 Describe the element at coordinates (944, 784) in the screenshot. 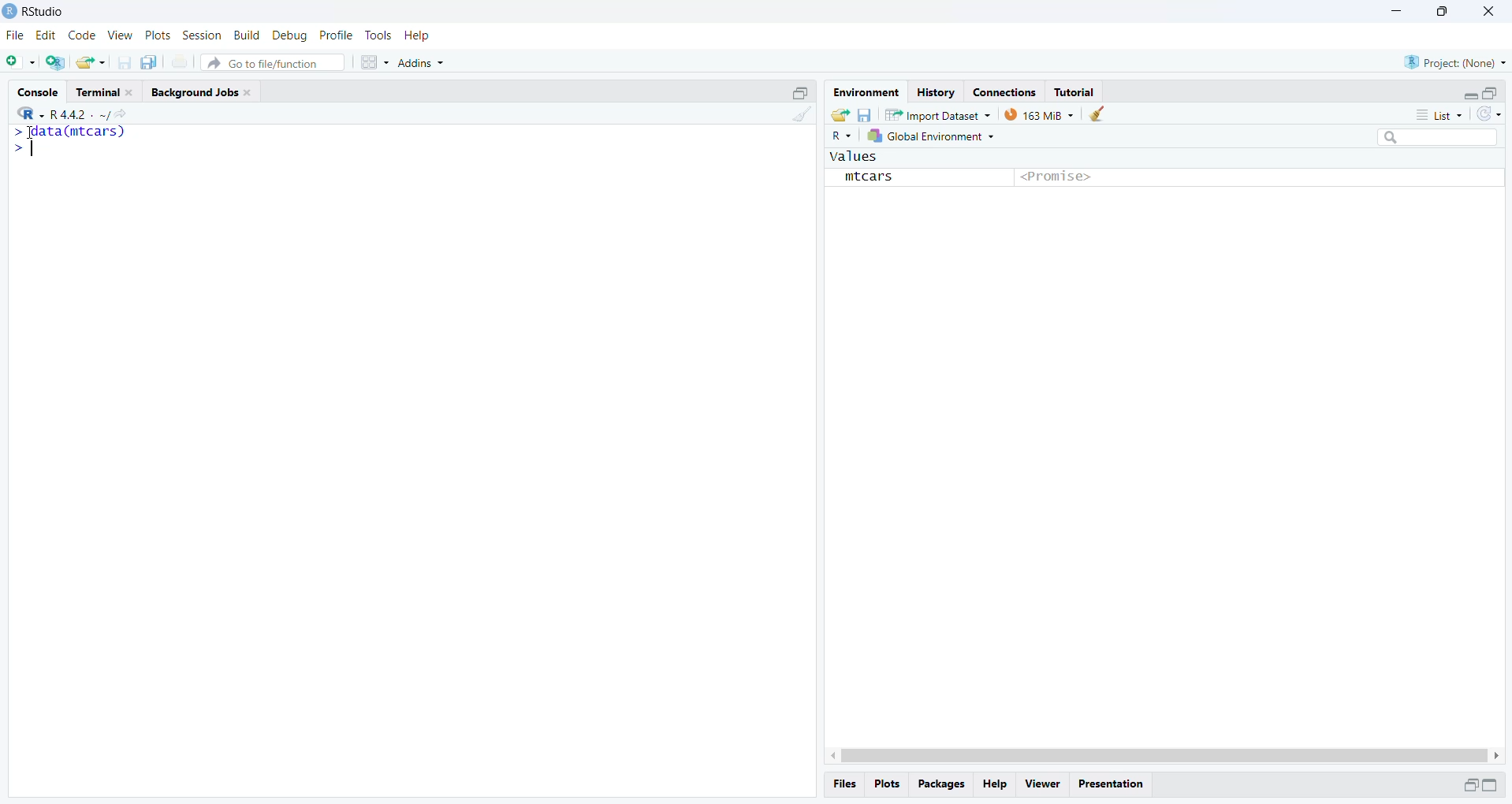

I see `Packages` at that location.